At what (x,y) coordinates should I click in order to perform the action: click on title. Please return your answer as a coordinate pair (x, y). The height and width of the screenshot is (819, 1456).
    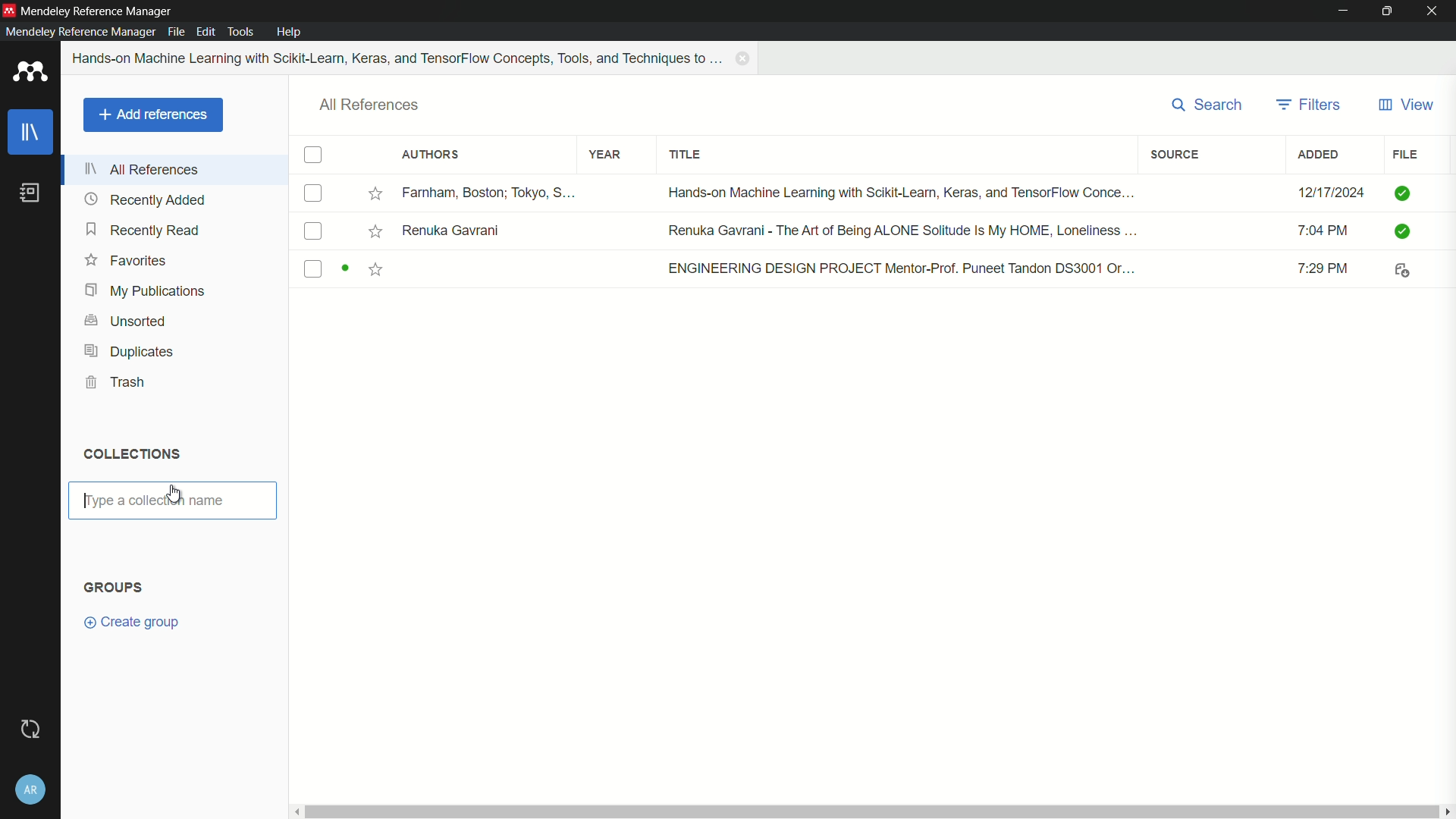
    Looking at the image, I should click on (686, 155).